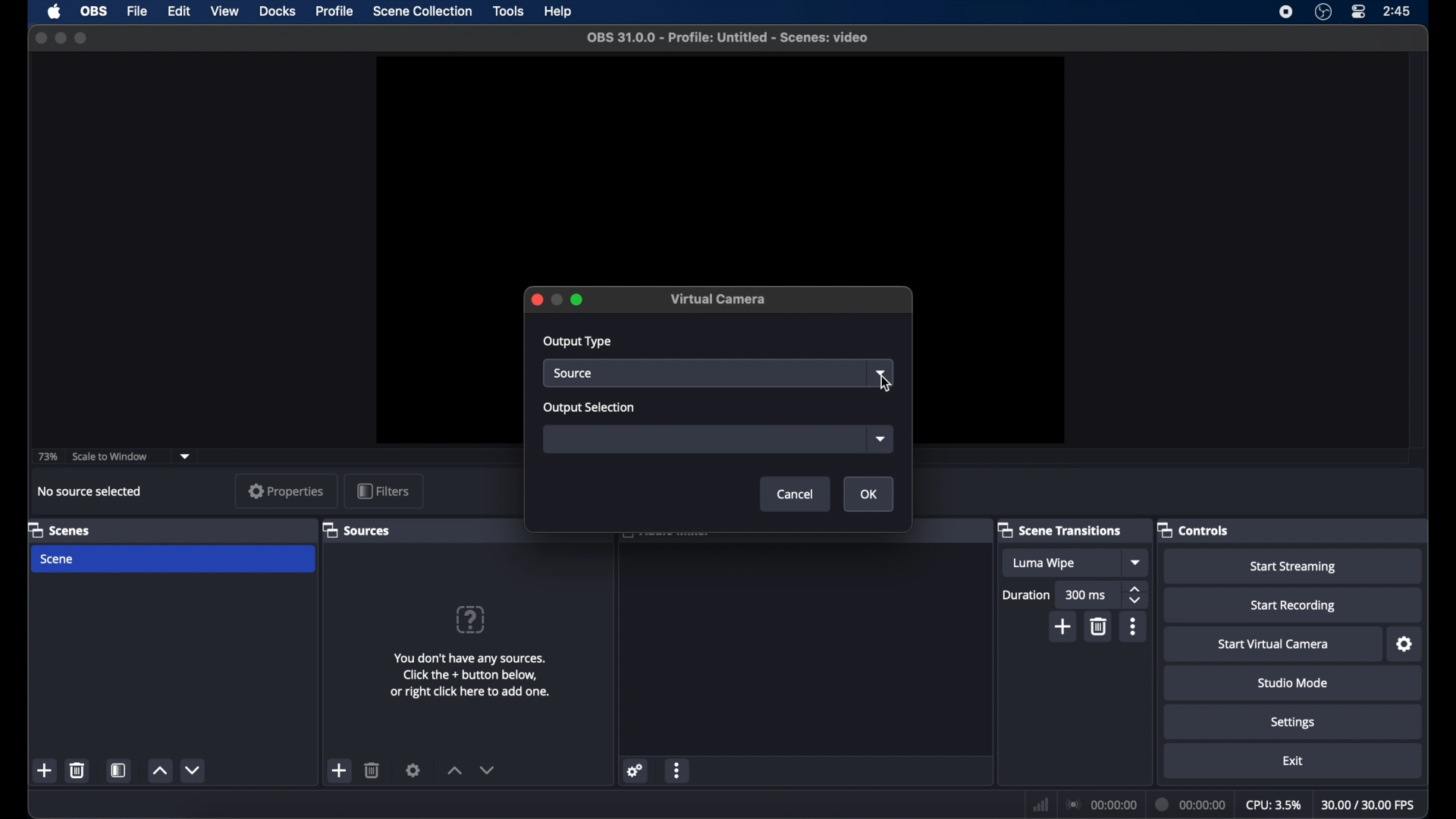 The image size is (1456, 819). Describe the element at coordinates (1323, 12) in the screenshot. I see `obs studio` at that location.